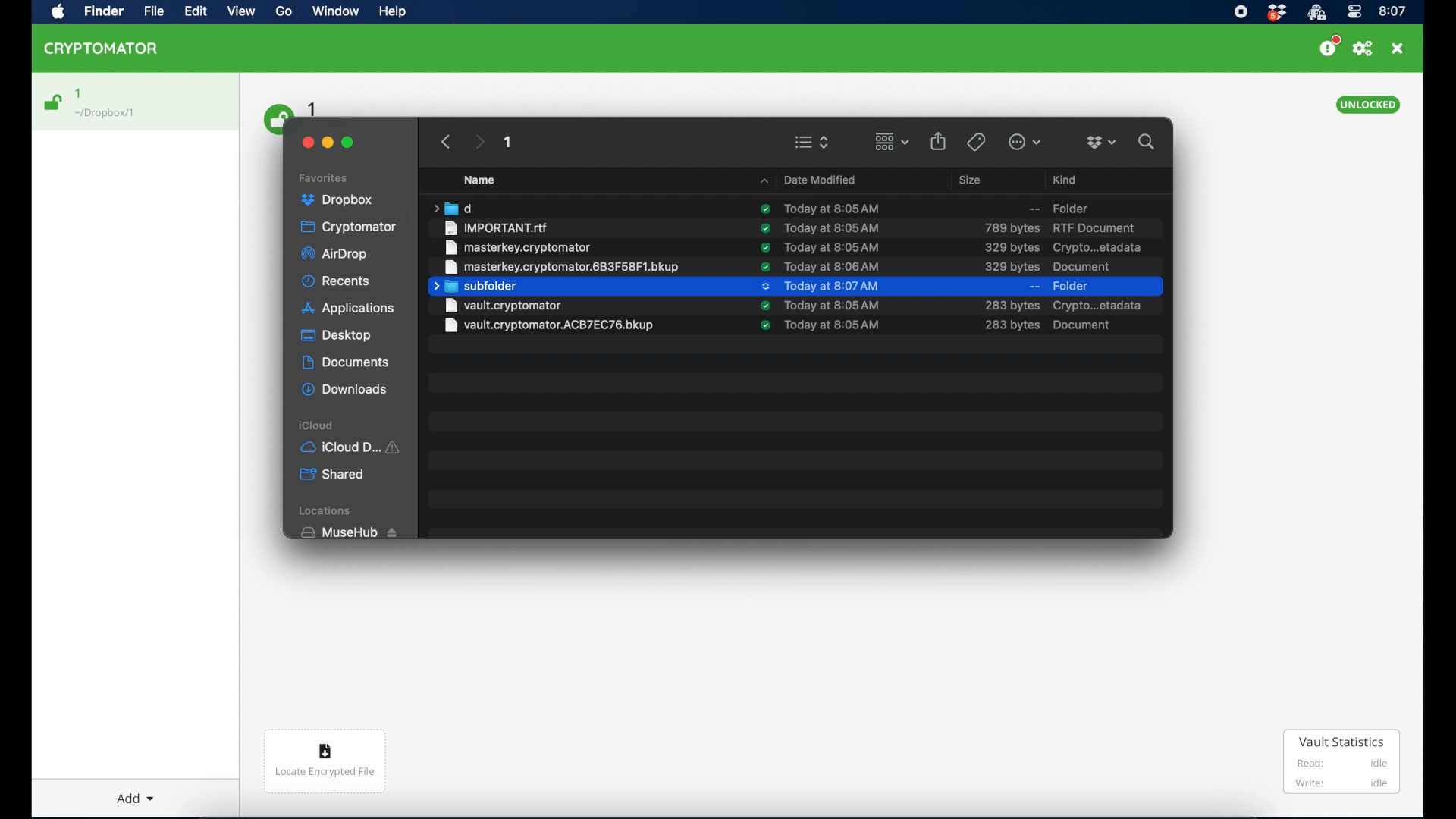 This screenshot has height=819, width=1456. I want to click on date, so click(832, 287).